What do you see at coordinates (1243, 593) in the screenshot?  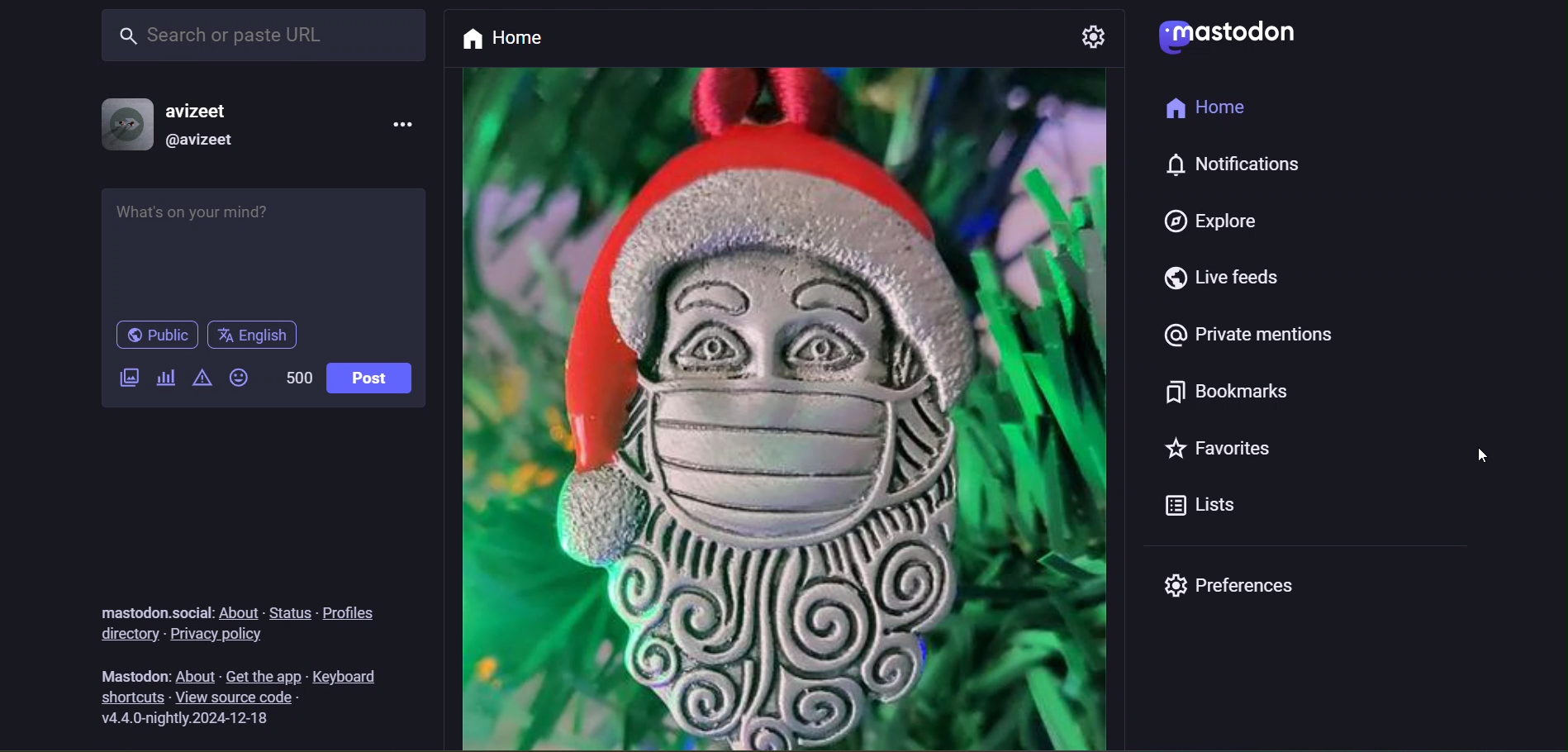 I see `preferences` at bounding box center [1243, 593].